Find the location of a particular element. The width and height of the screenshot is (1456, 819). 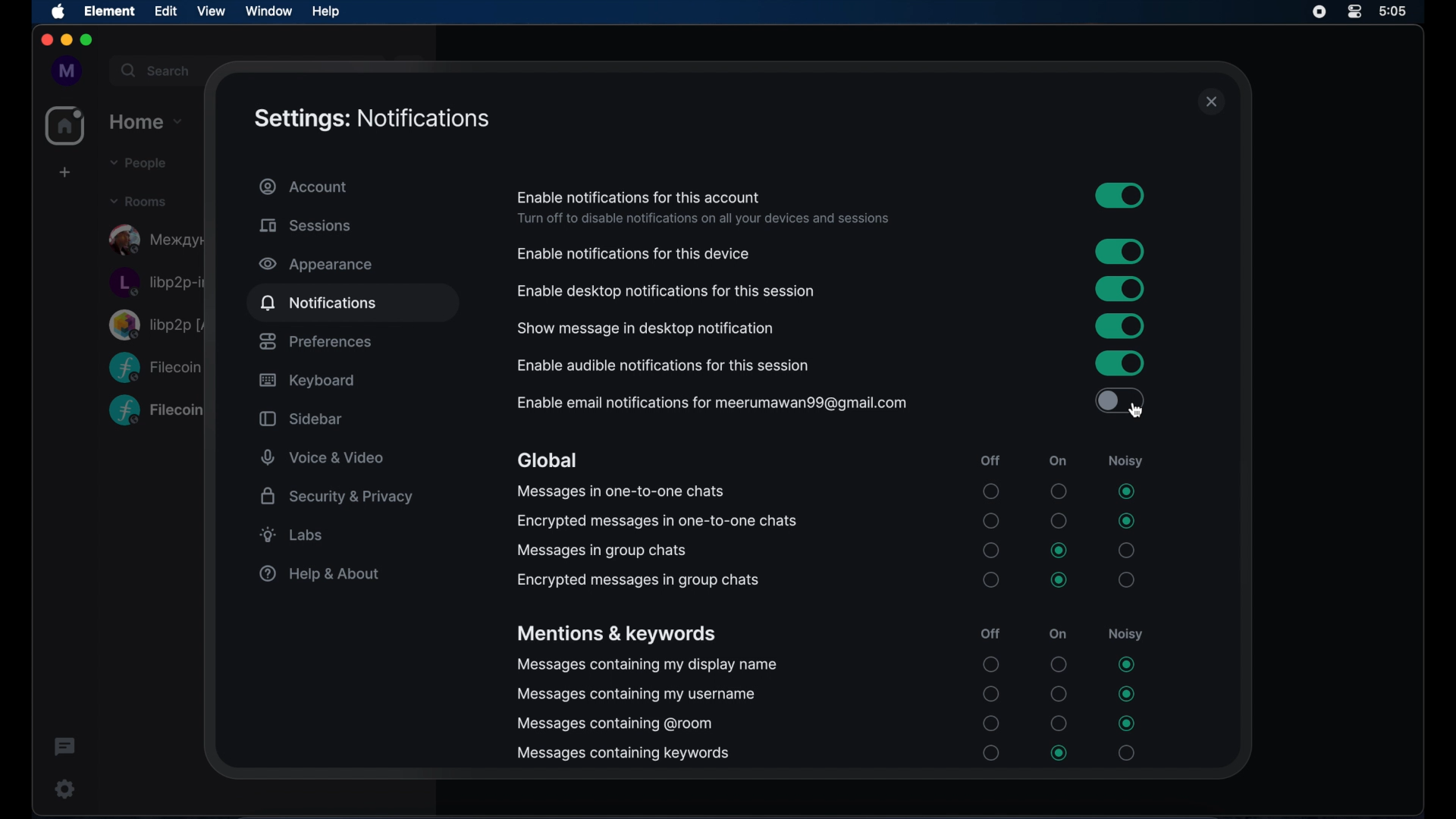

view is located at coordinates (211, 11).